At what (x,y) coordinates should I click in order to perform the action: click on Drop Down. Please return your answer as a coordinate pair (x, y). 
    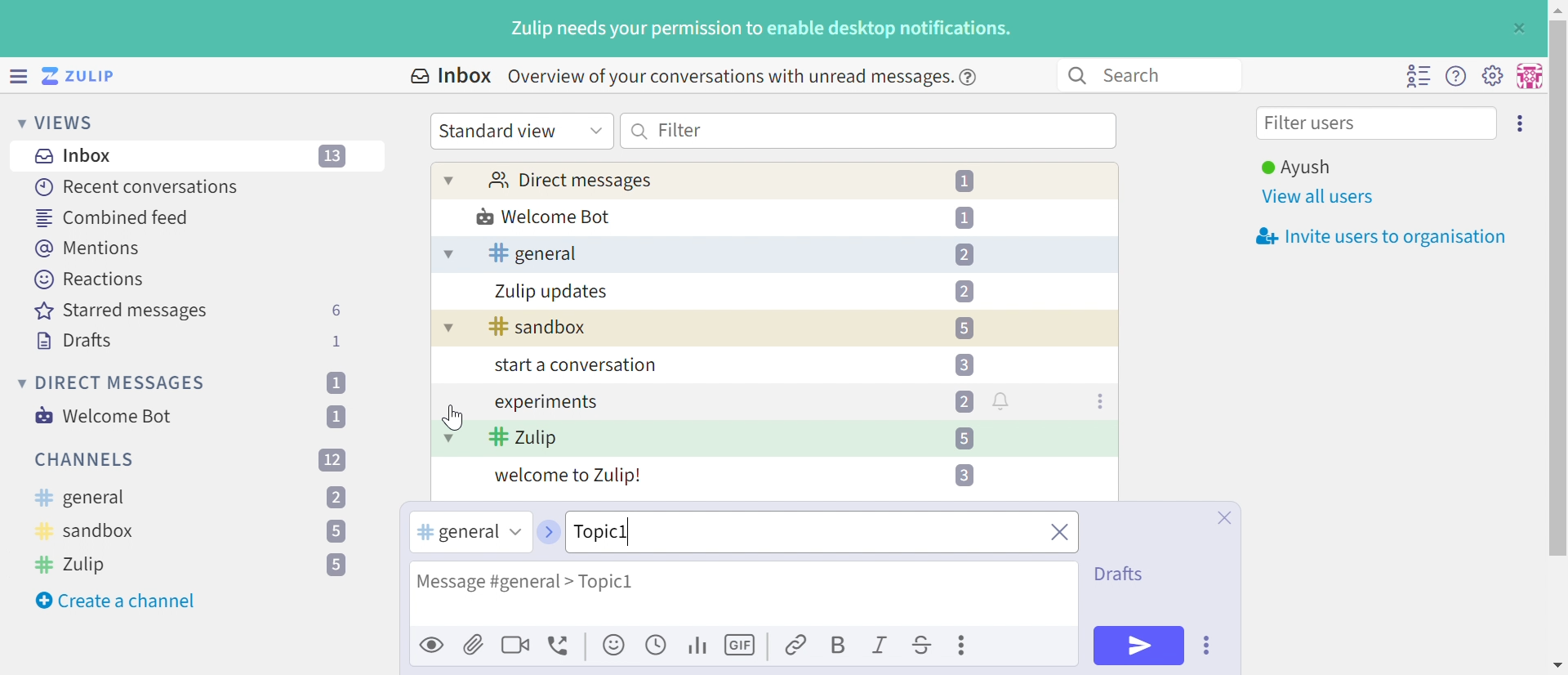
    Looking at the image, I should click on (514, 532).